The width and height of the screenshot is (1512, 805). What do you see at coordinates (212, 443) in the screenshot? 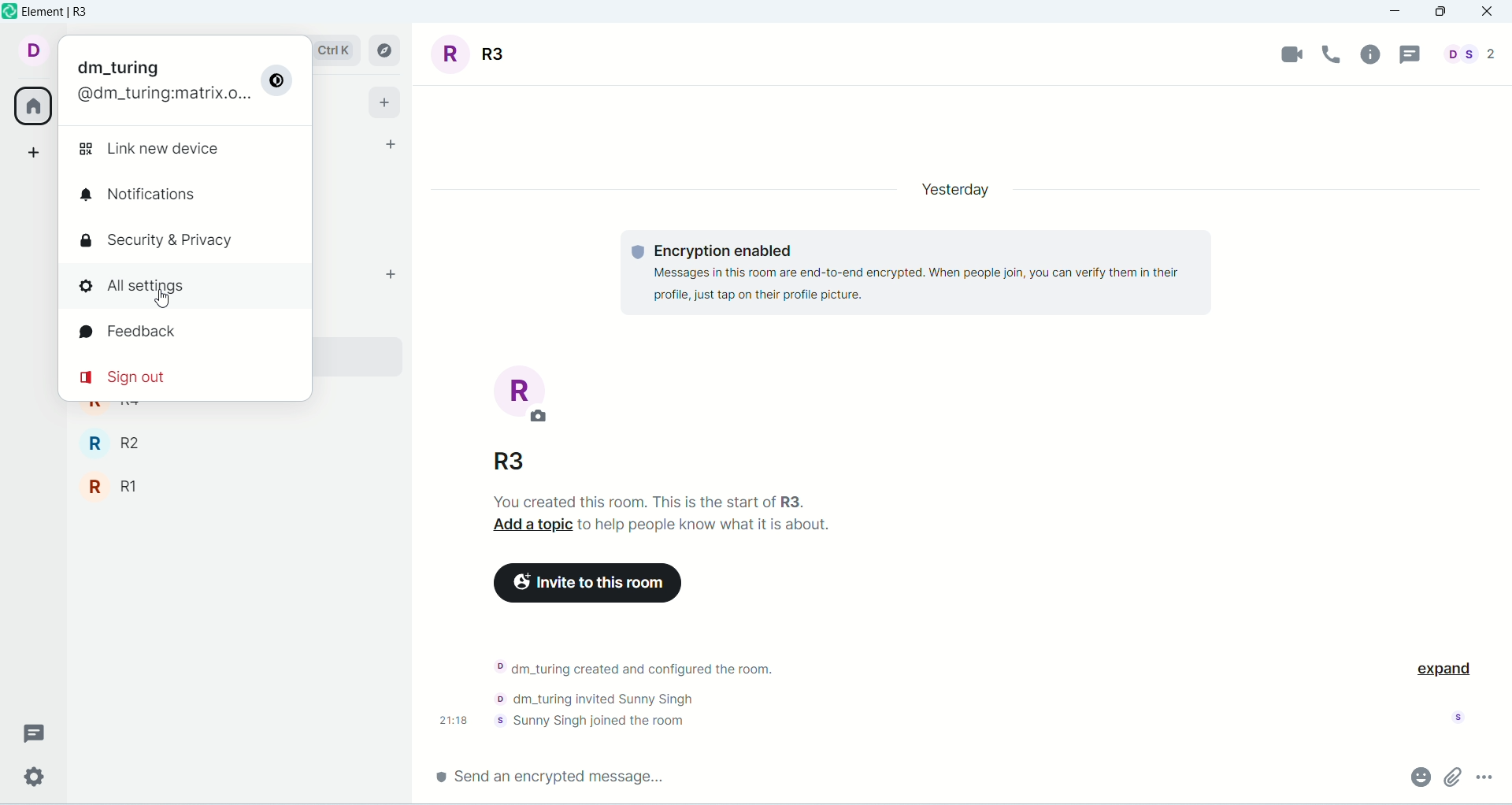
I see `R2` at bounding box center [212, 443].